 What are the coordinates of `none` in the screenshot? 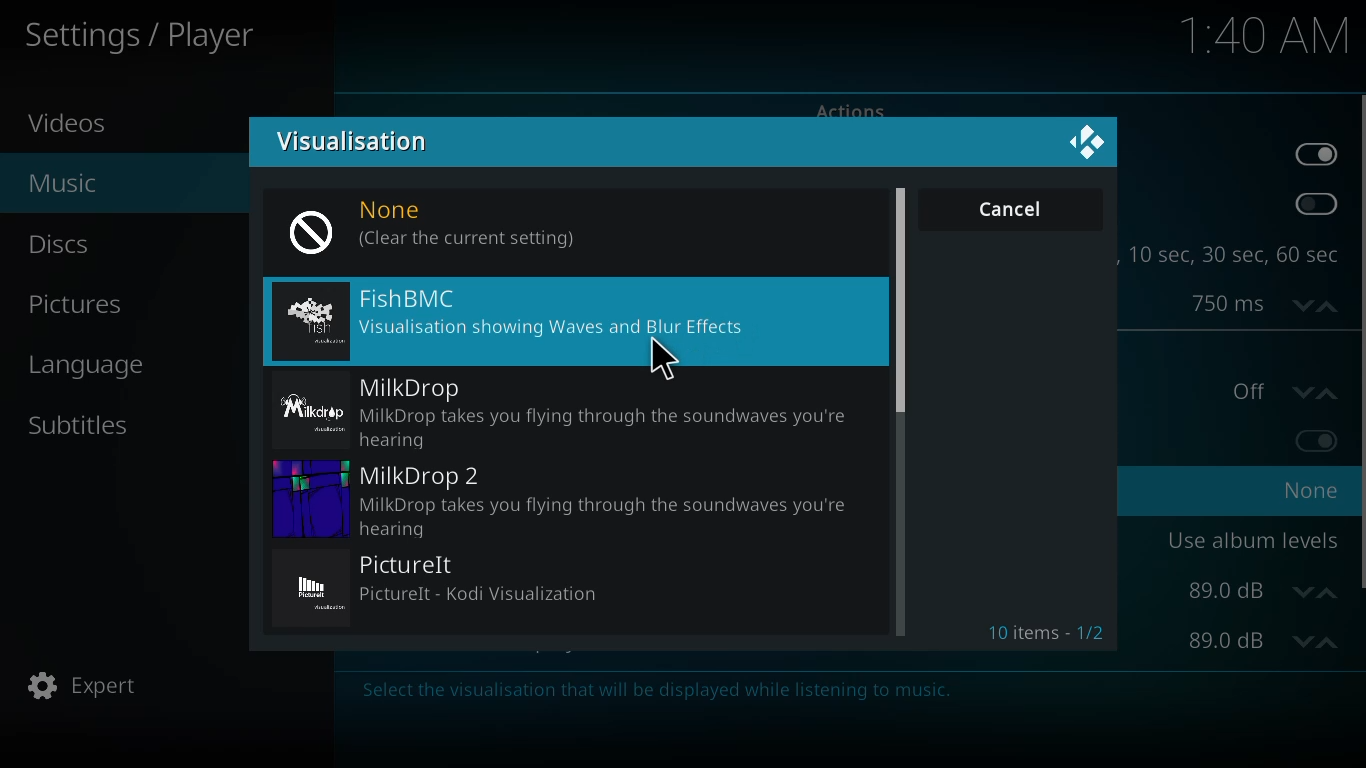 It's located at (1312, 489).